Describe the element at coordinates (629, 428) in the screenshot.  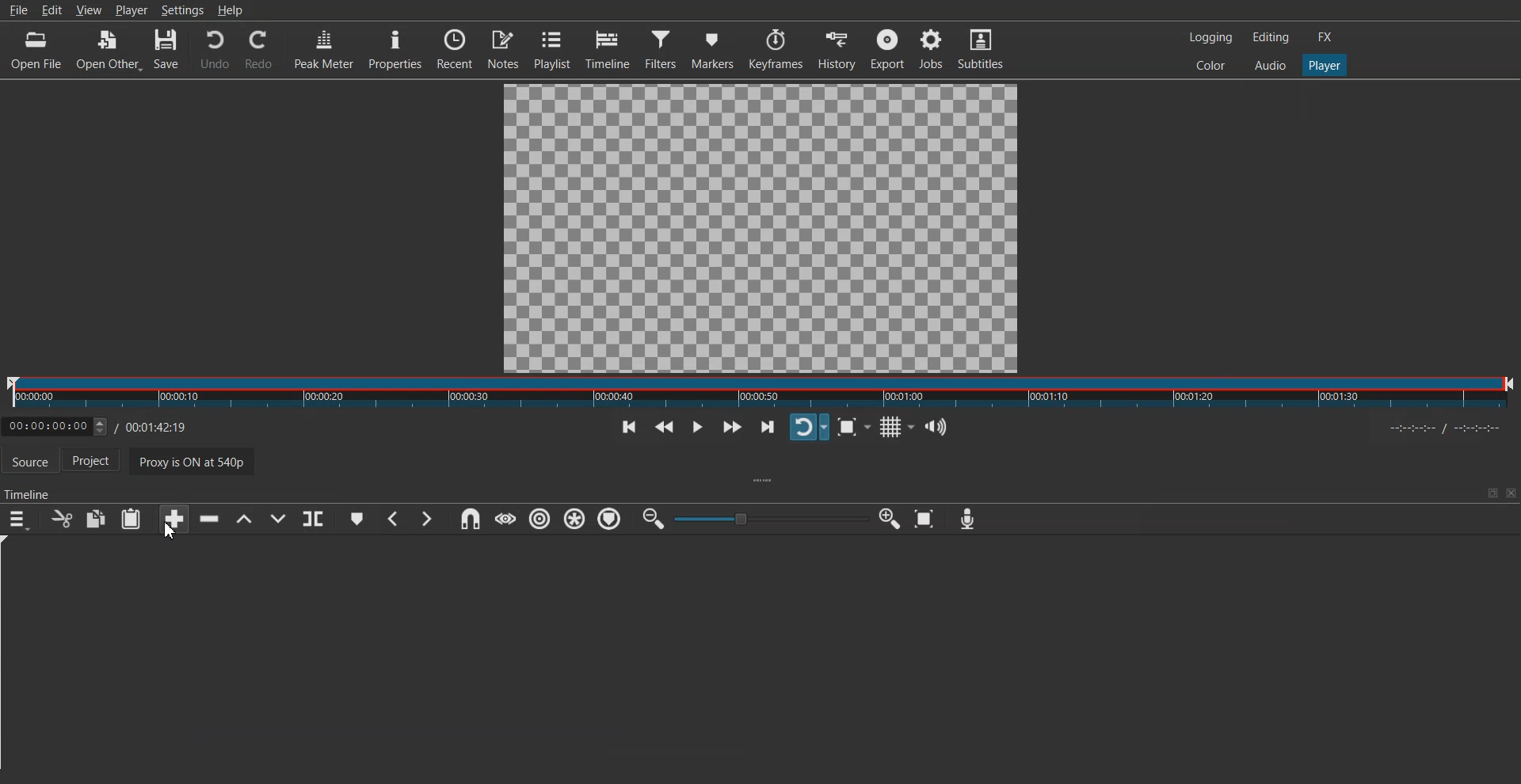
I see `Skip to previous point` at that location.